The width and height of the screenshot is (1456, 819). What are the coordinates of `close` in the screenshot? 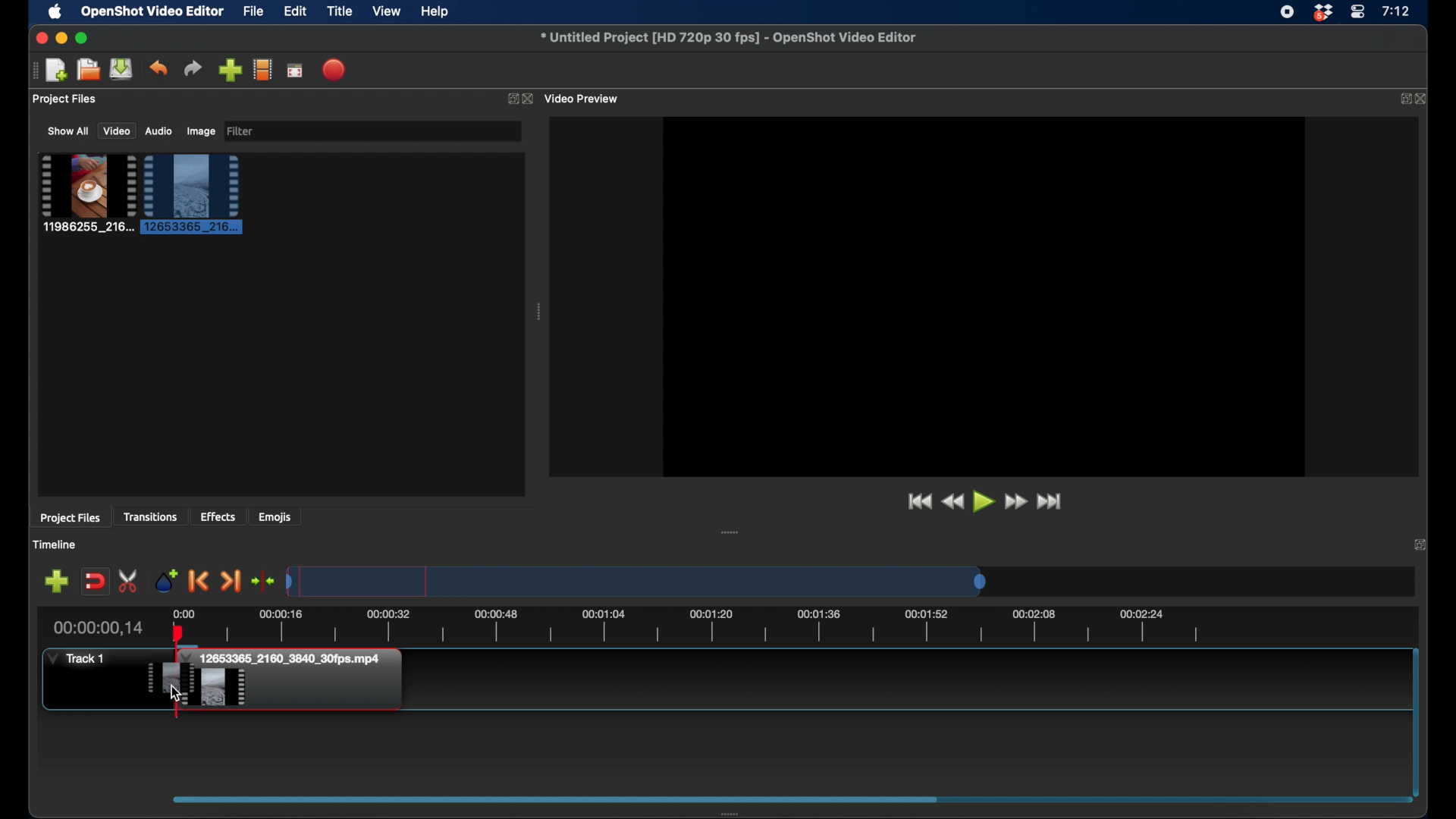 It's located at (1425, 99).